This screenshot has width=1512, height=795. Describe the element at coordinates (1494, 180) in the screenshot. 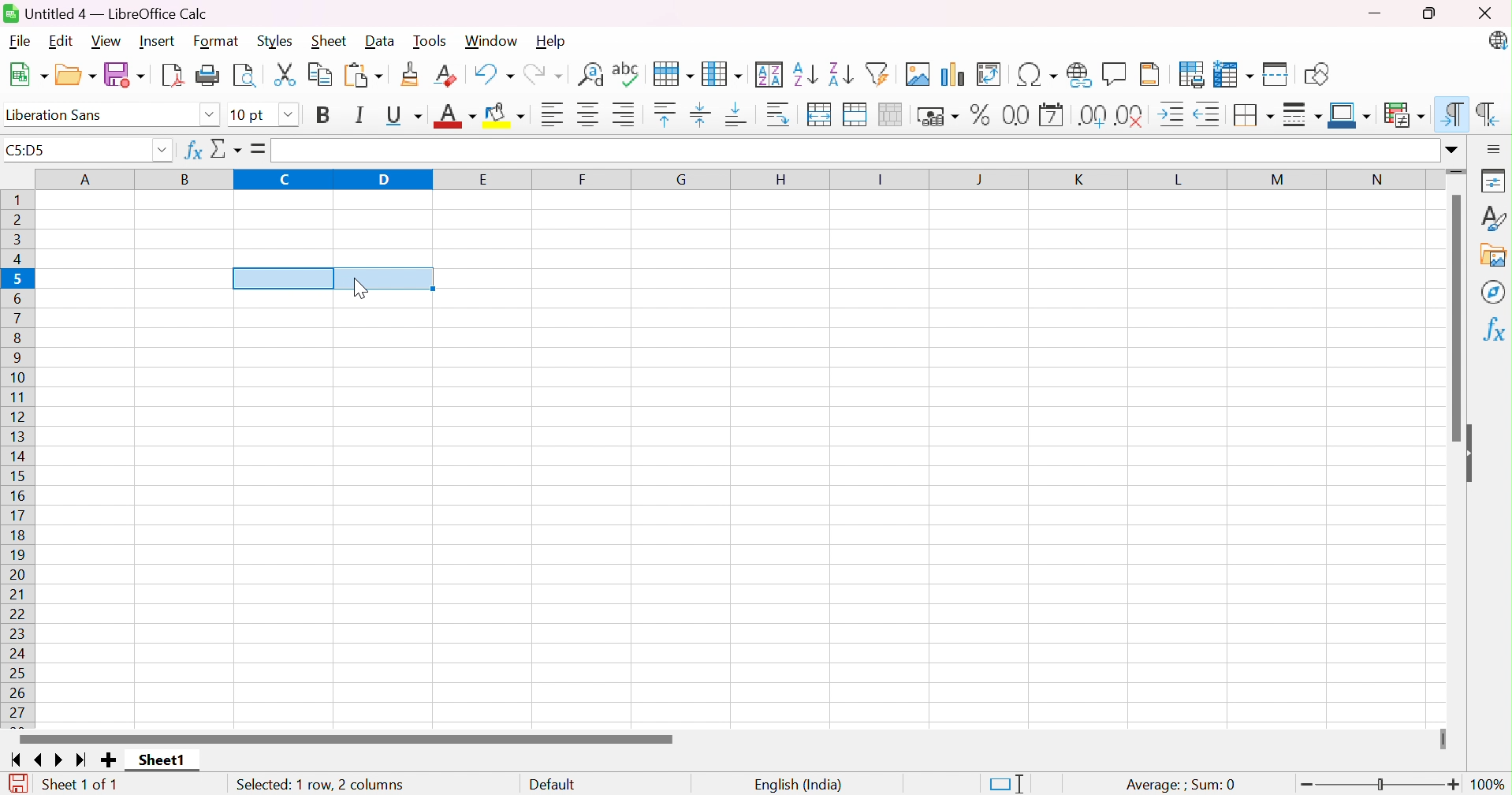

I see `Properties` at that location.